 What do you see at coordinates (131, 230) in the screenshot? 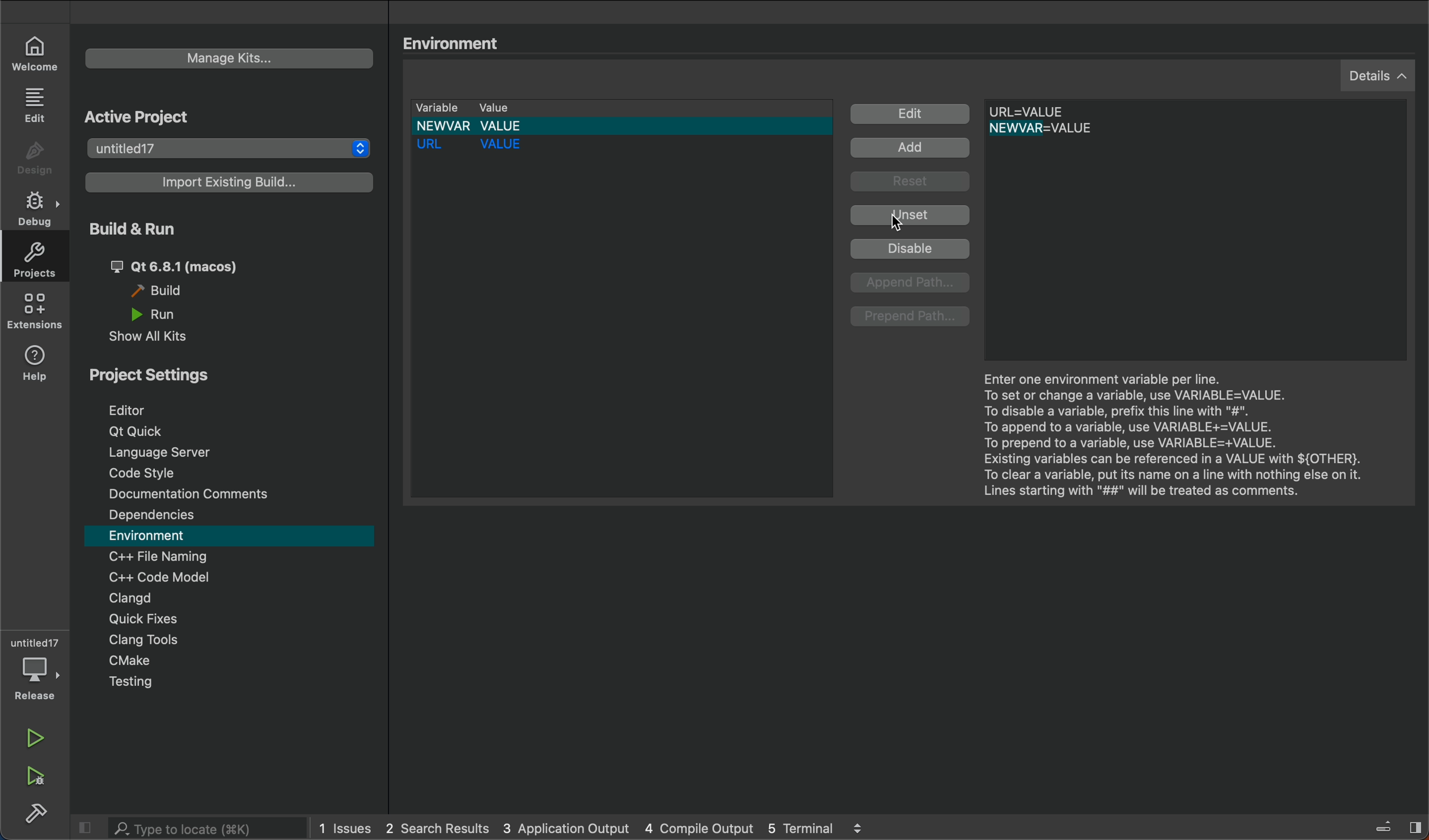
I see `build and run` at bounding box center [131, 230].